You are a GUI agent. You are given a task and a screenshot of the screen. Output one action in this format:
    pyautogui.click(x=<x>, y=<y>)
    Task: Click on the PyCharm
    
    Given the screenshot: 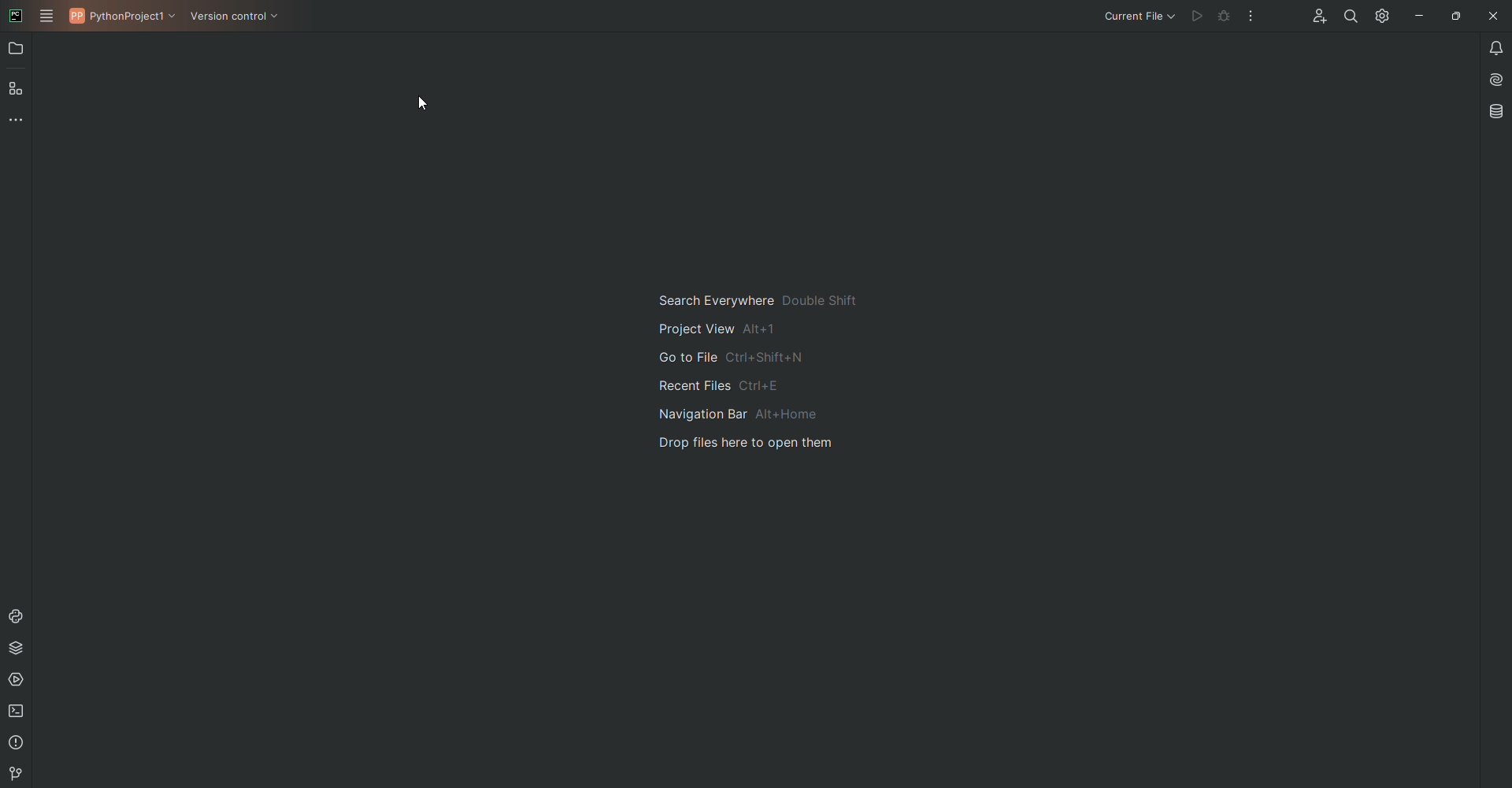 What is the action you would take?
    pyautogui.click(x=16, y=14)
    